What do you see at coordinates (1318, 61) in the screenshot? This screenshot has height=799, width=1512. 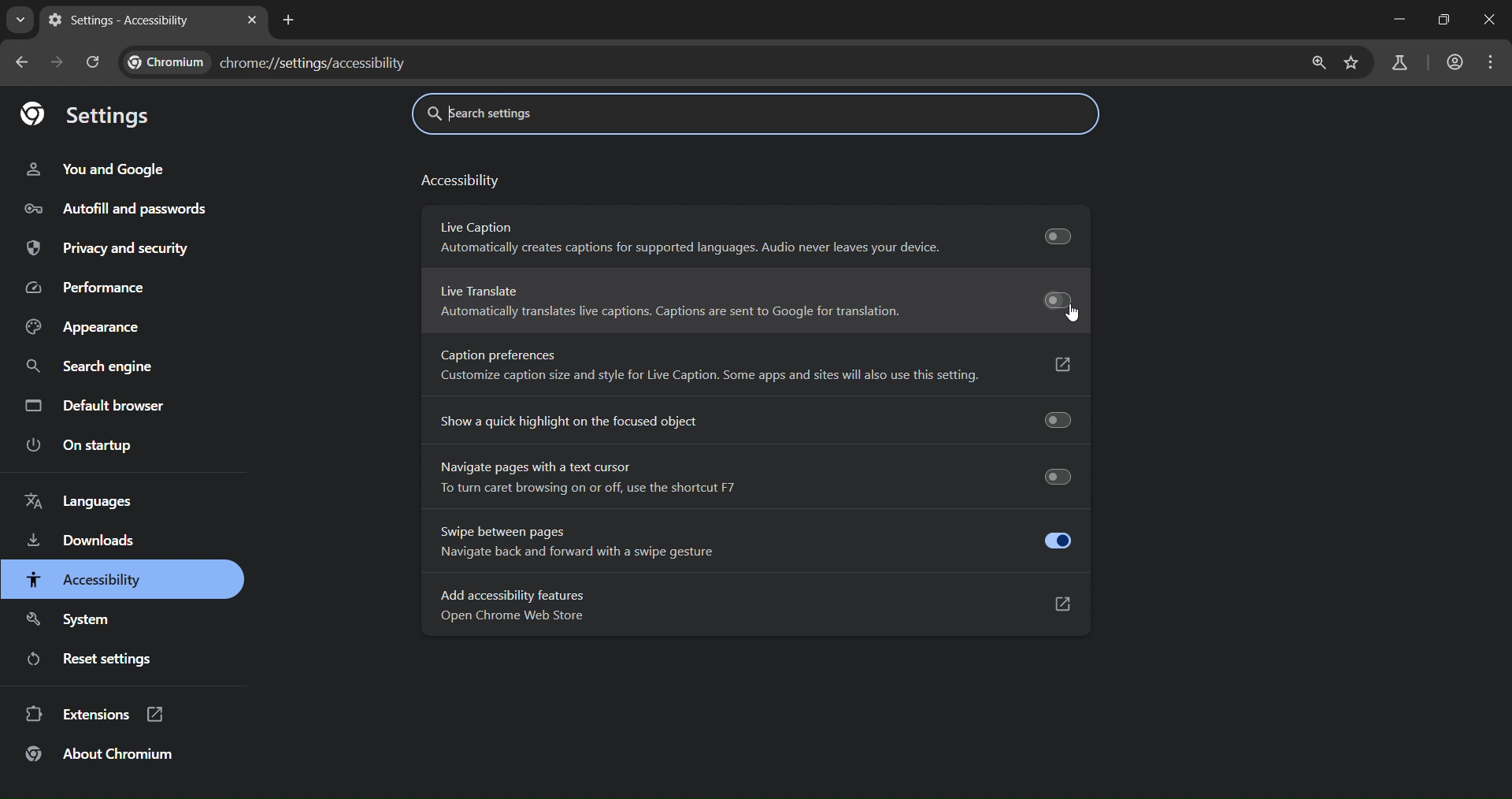 I see `zoom` at bounding box center [1318, 61].